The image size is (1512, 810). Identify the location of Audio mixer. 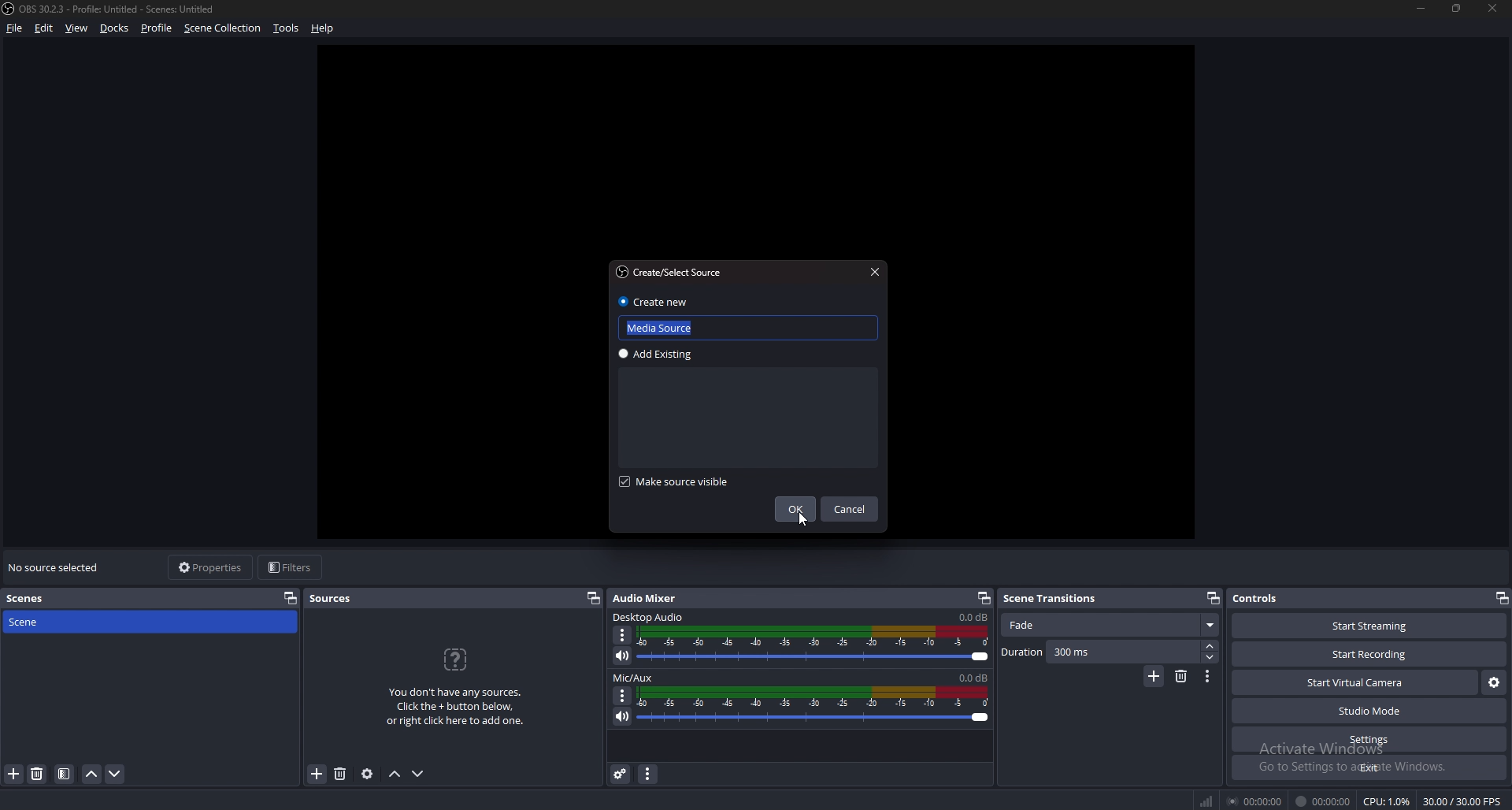
(646, 599).